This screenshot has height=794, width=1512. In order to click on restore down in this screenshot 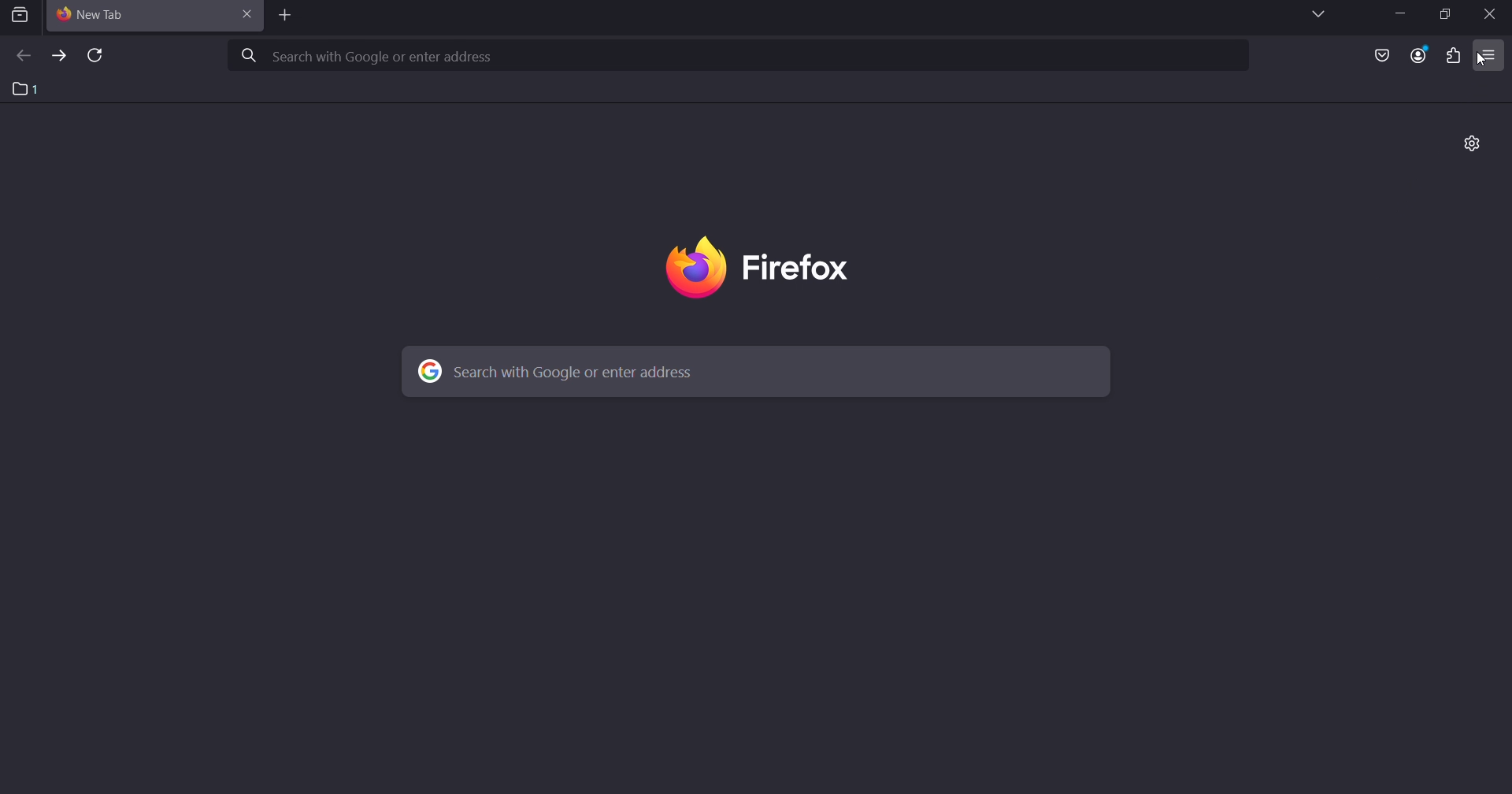, I will do `click(1438, 14)`.